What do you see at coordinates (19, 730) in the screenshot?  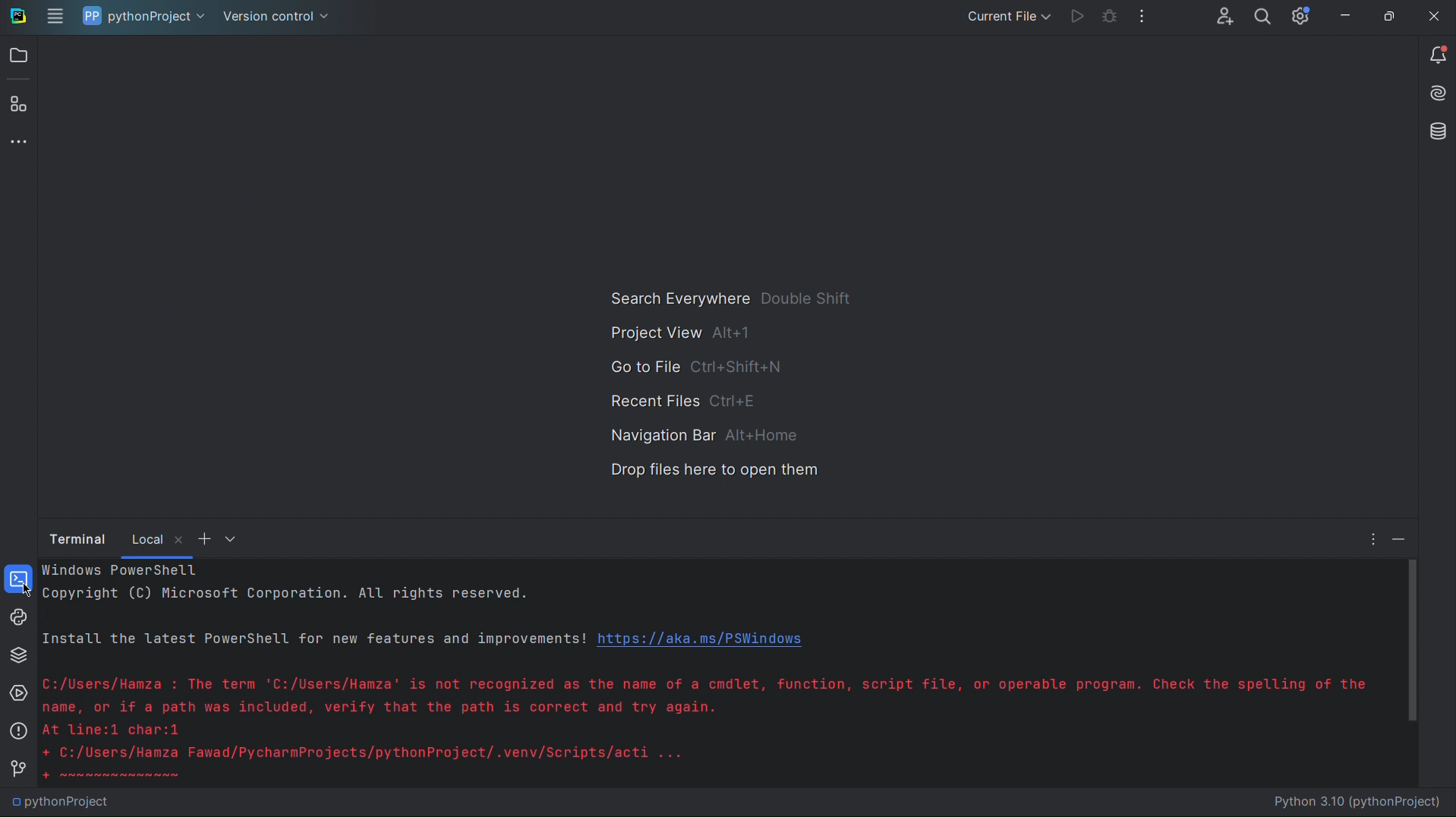 I see `Problems` at bounding box center [19, 730].